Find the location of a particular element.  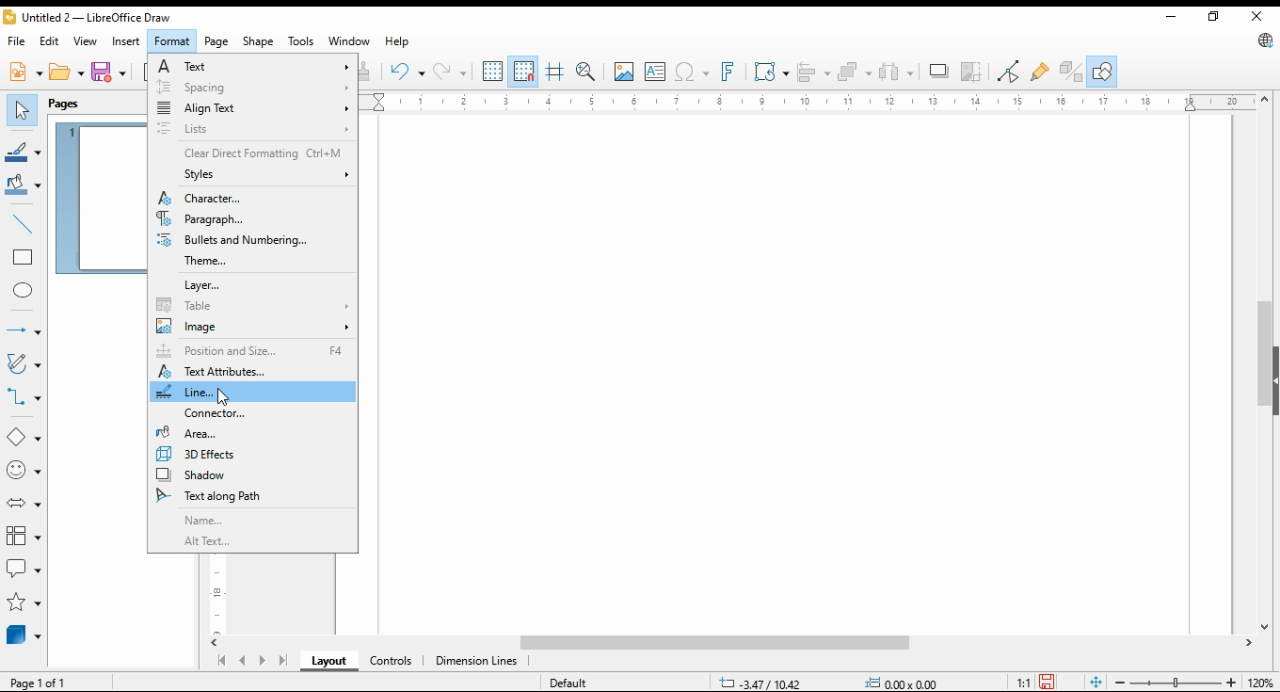

align objects is located at coordinates (810, 70).